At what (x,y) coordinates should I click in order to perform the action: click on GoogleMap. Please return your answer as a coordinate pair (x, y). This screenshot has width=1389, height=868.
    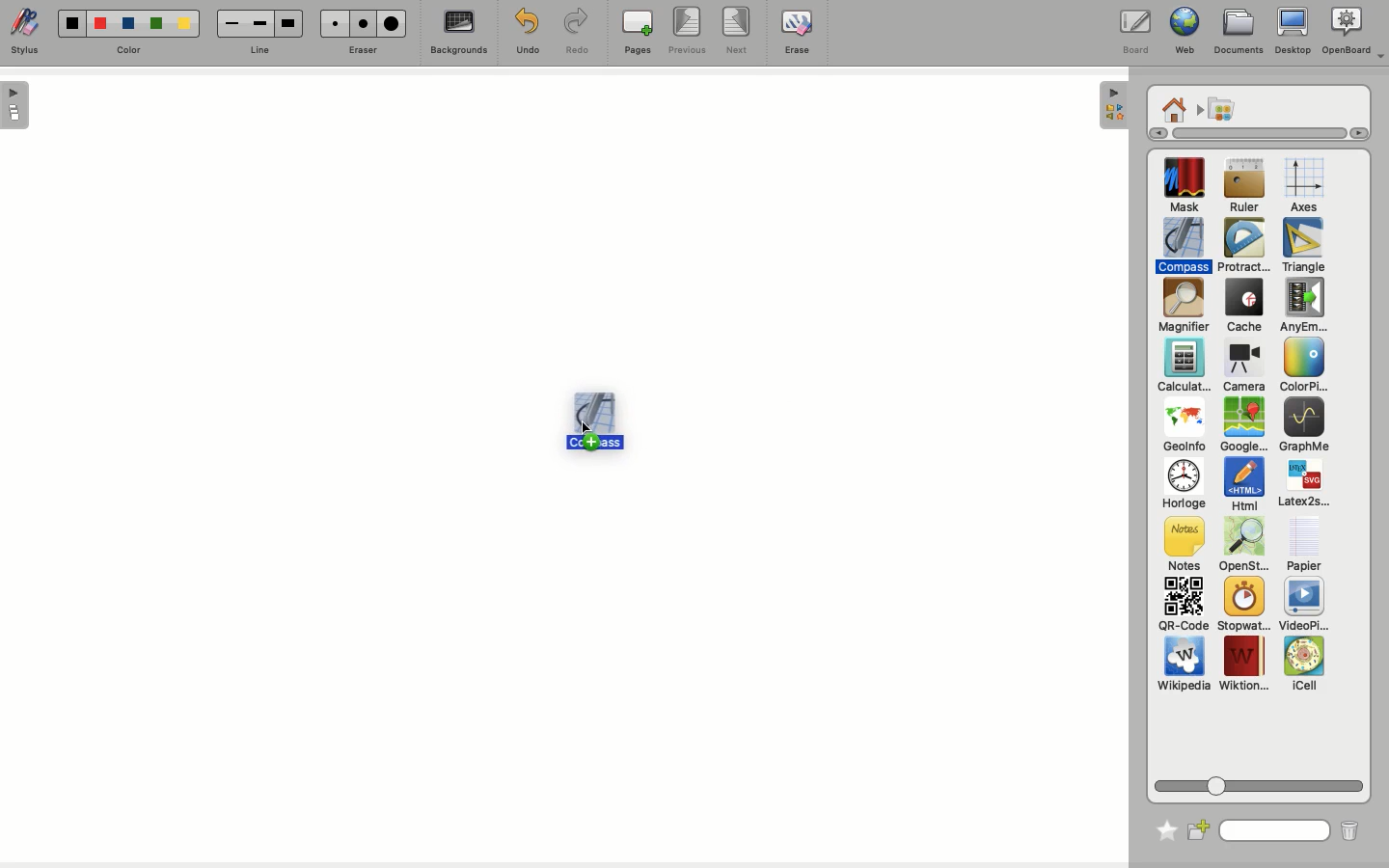
    Looking at the image, I should click on (1243, 426).